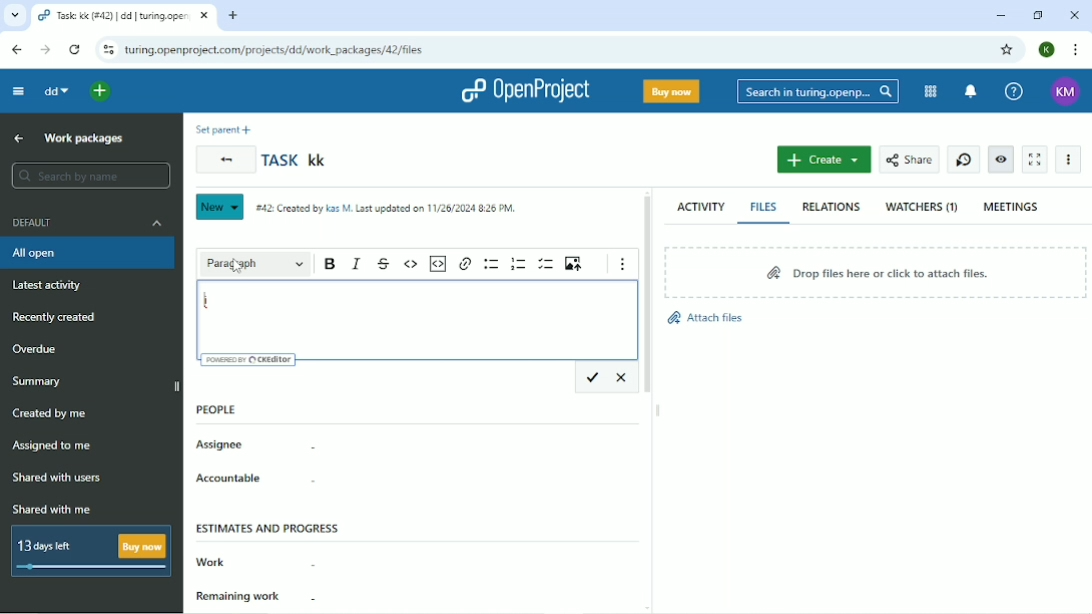 This screenshot has height=614, width=1092. What do you see at coordinates (83, 139) in the screenshot?
I see `Work packages` at bounding box center [83, 139].